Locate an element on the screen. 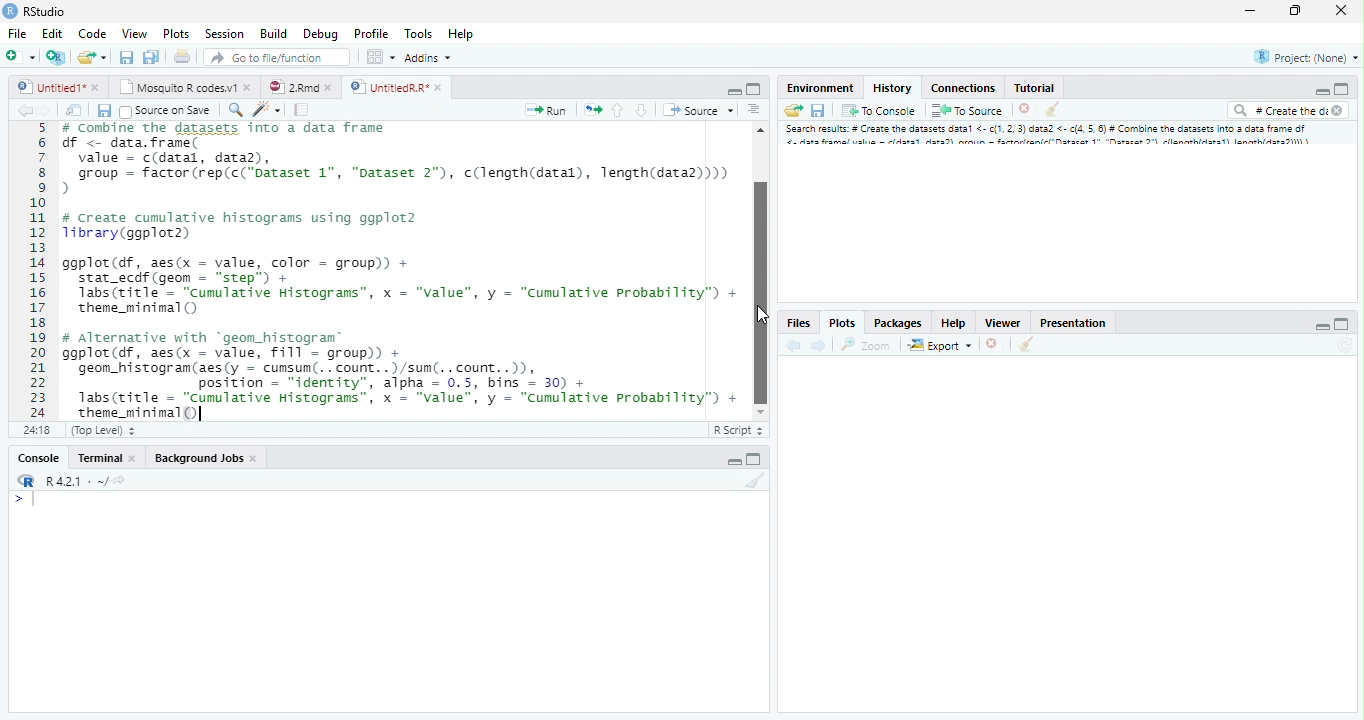 The image size is (1364, 720). Minimize is located at coordinates (733, 91).